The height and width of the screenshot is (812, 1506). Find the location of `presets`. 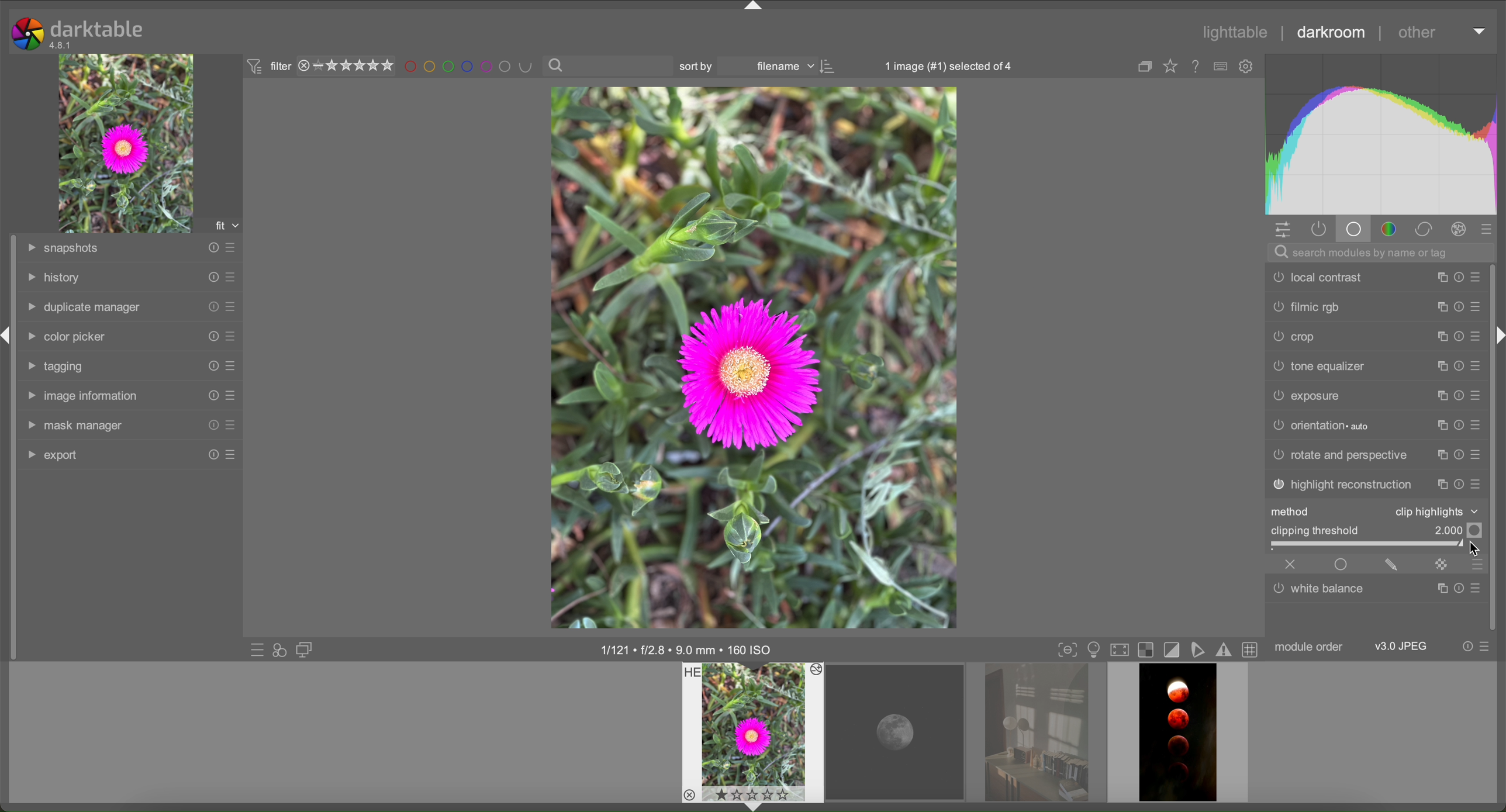

presets is located at coordinates (1477, 278).